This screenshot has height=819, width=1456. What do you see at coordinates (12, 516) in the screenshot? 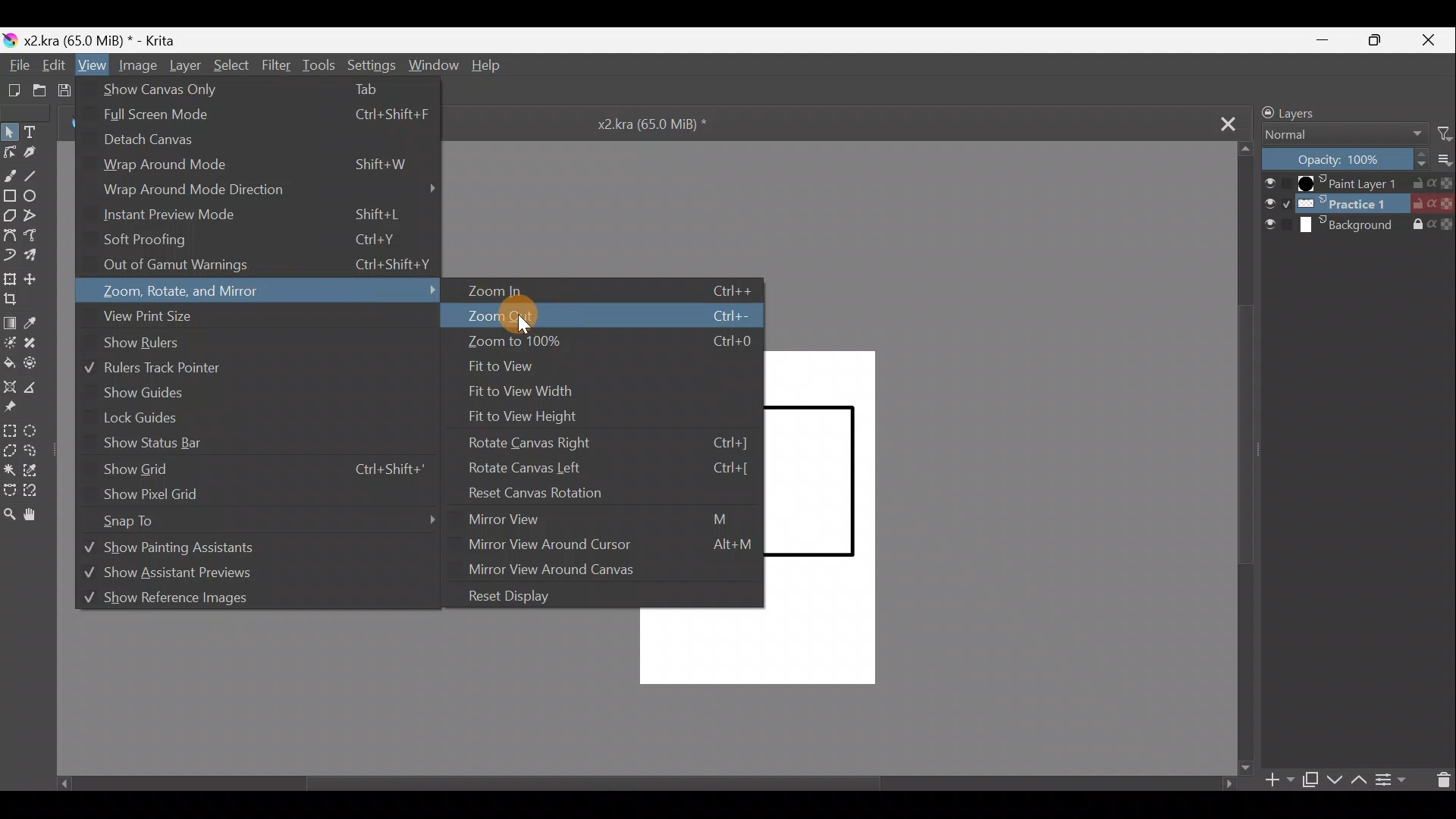
I see `Zoom tool` at bounding box center [12, 516].